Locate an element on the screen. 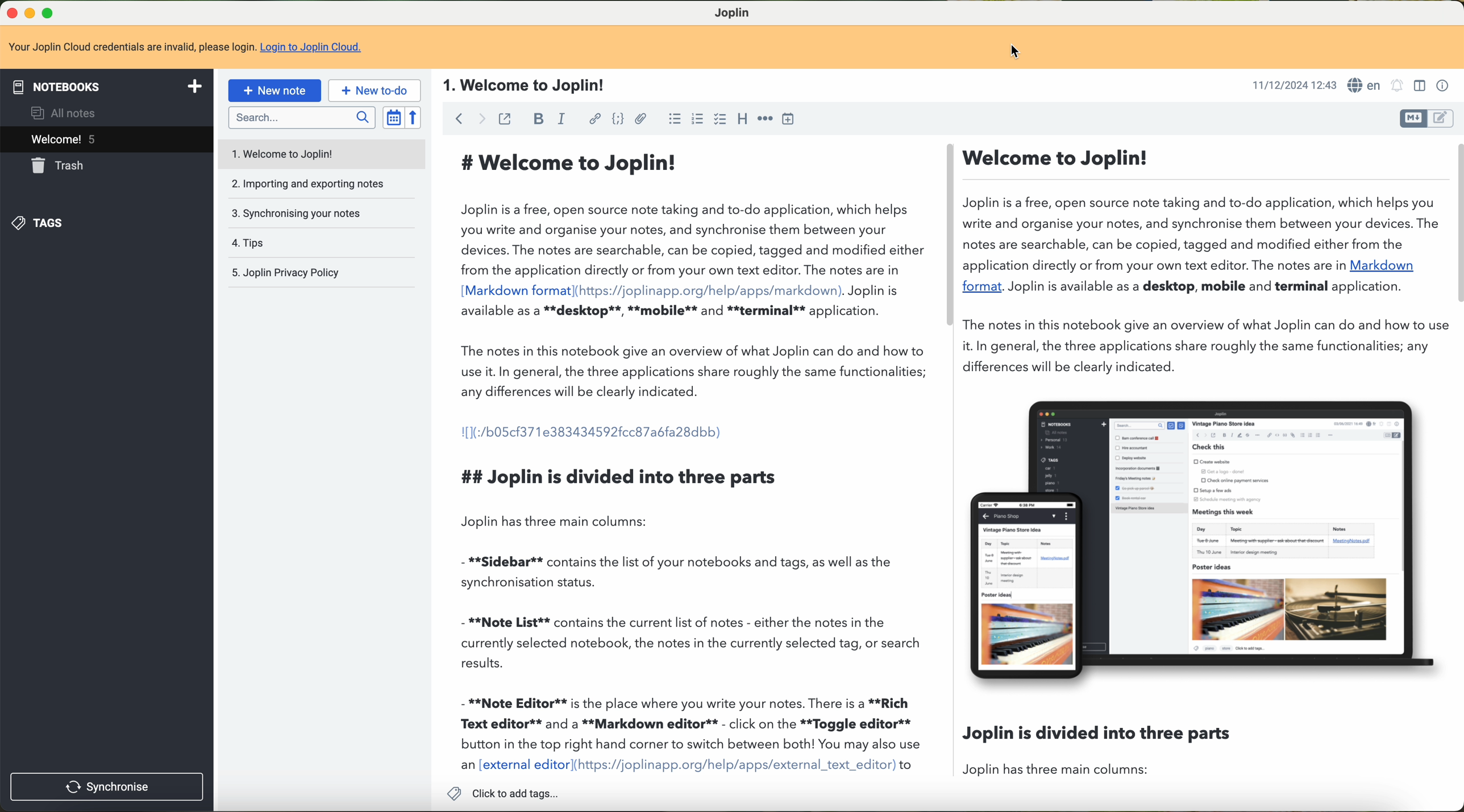 The height and width of the screenshot is (812, 1464). language is located at coordinates (1366, 85).